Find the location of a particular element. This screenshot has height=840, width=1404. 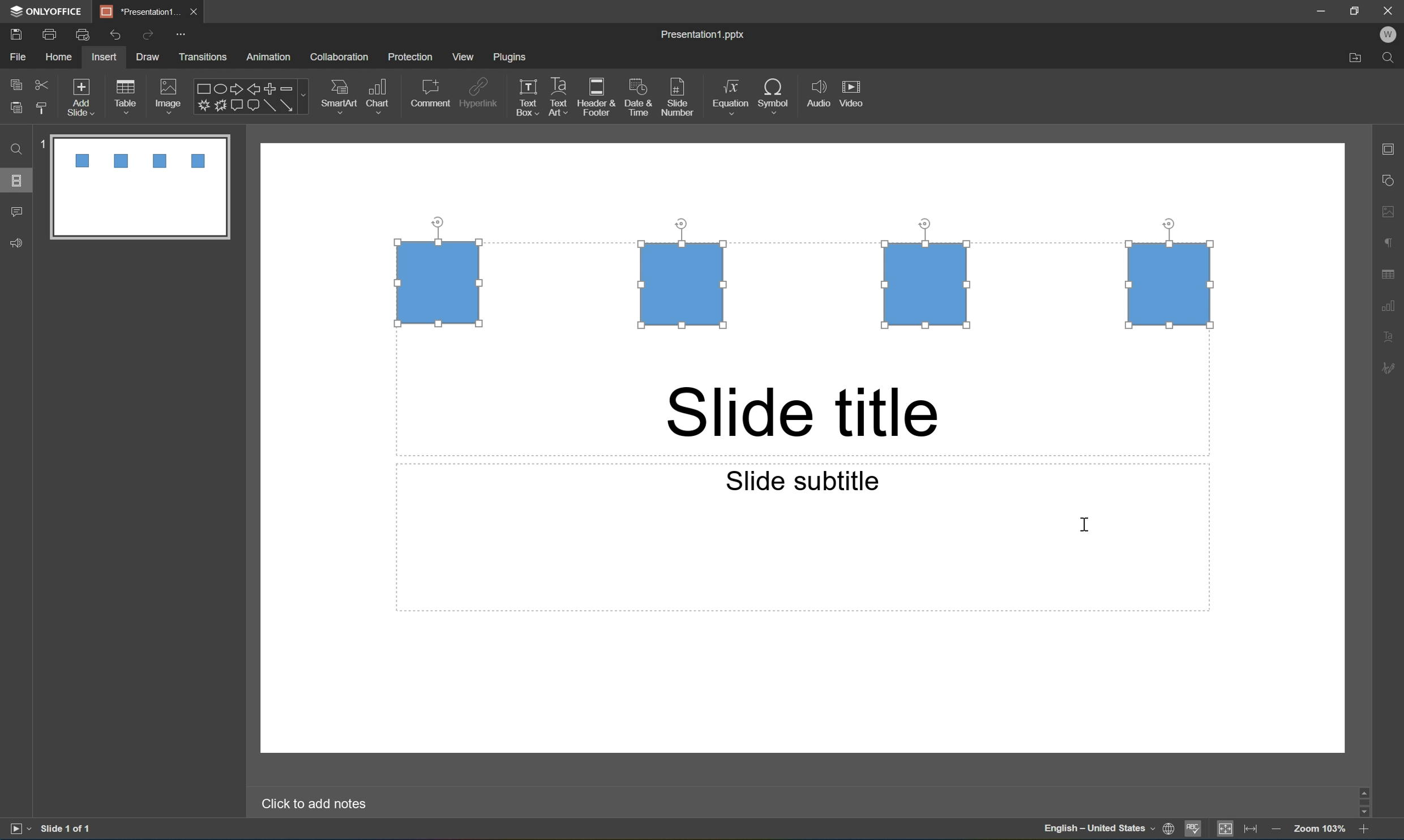

date & time is located at coordinates (641, 99).